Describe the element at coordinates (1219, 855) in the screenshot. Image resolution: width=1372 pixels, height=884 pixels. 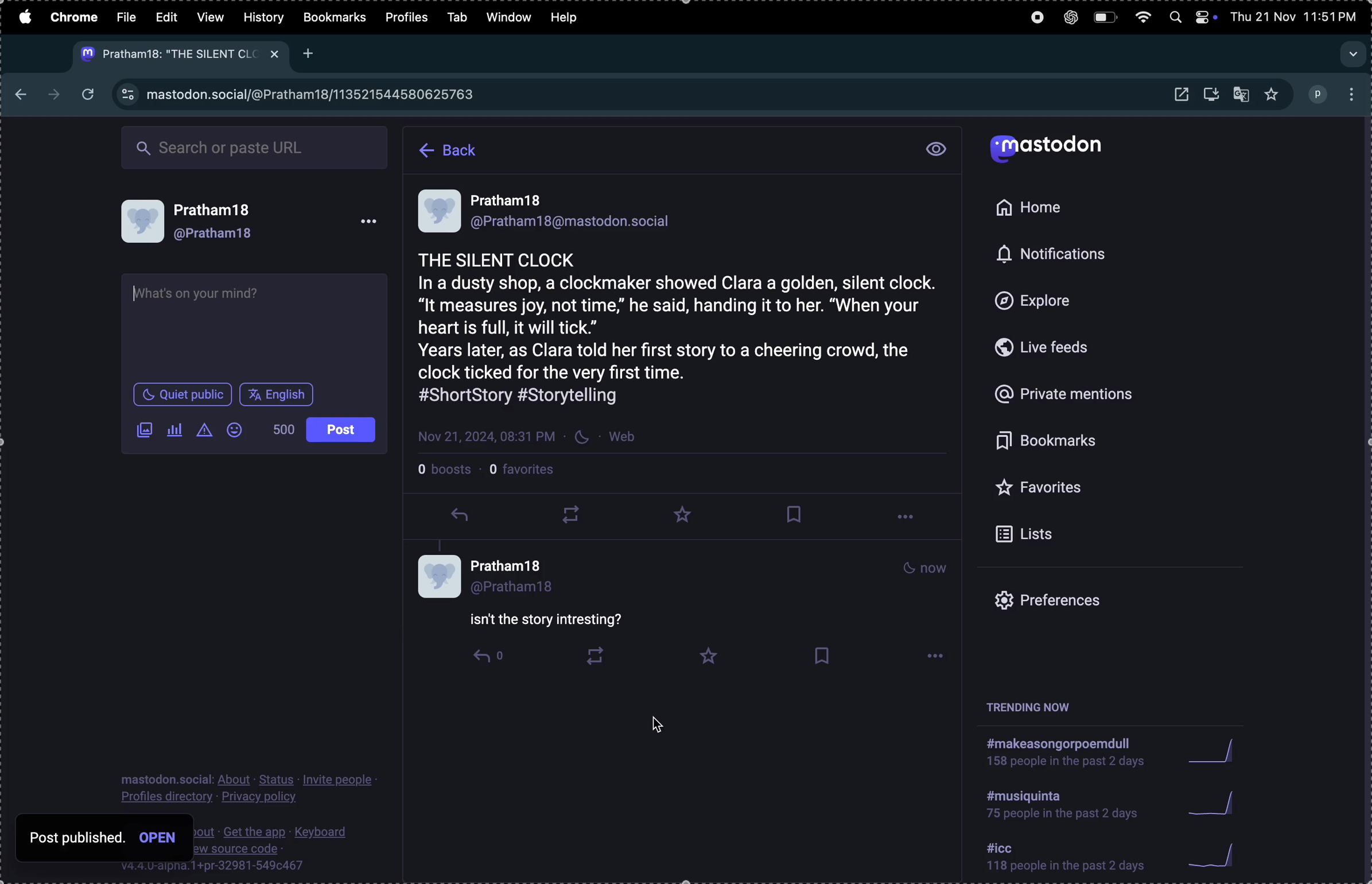
I see `graph` at that location.